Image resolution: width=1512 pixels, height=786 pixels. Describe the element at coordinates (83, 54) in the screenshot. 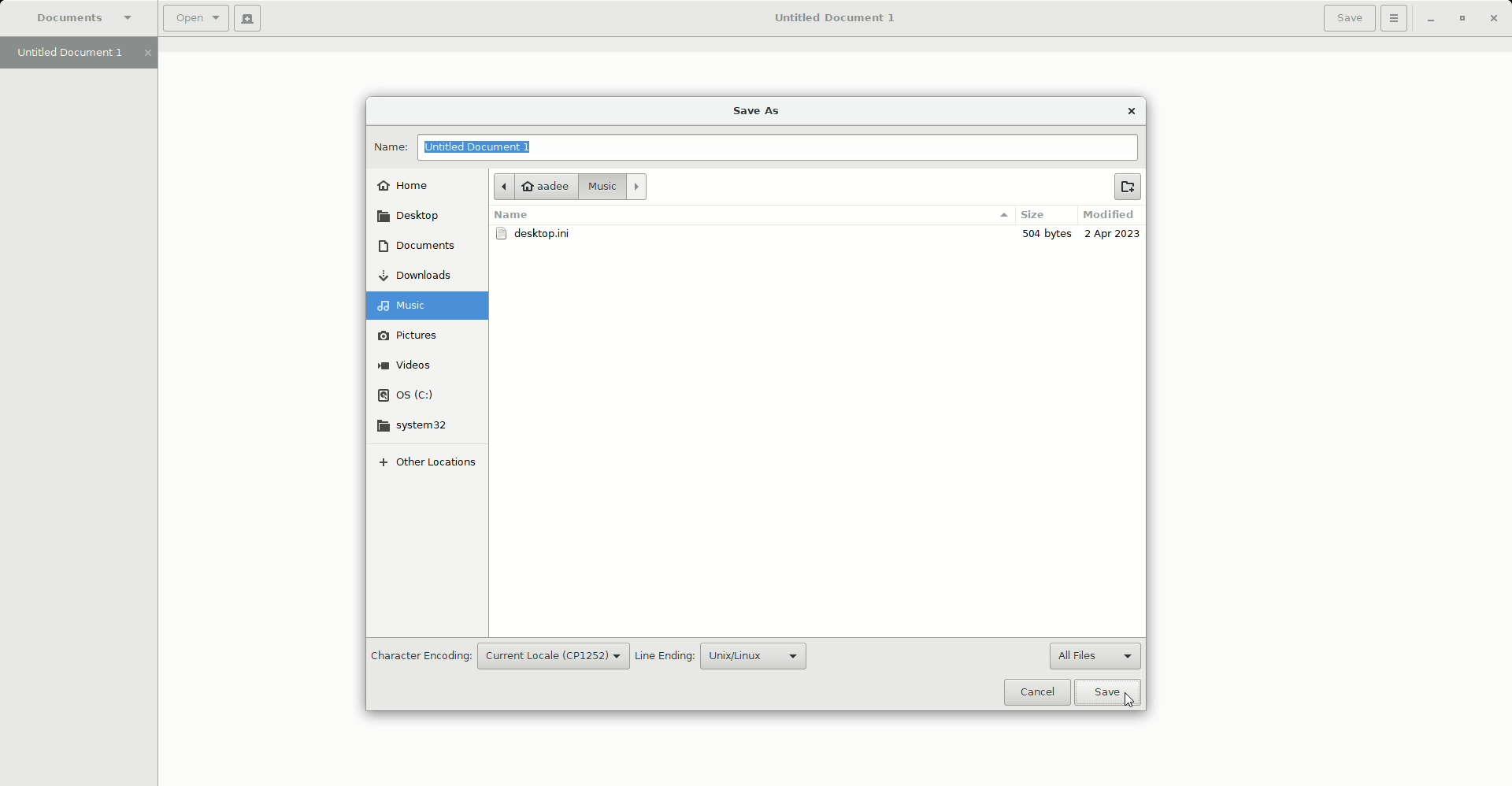

I see `Untitled Document 1` at that location.